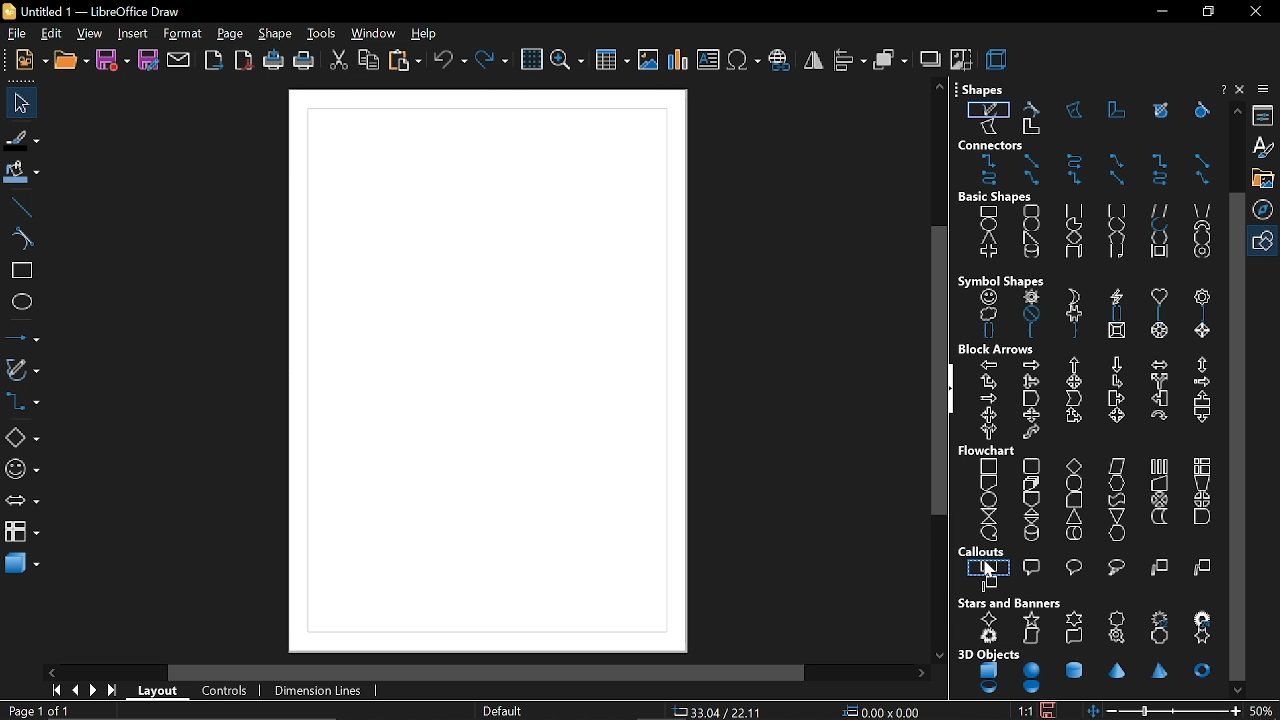 The image size is (1280, 720). What do you see at coordinates (40, 712) in the screenshot?
I see `current page` at bounding box center [40, 712].